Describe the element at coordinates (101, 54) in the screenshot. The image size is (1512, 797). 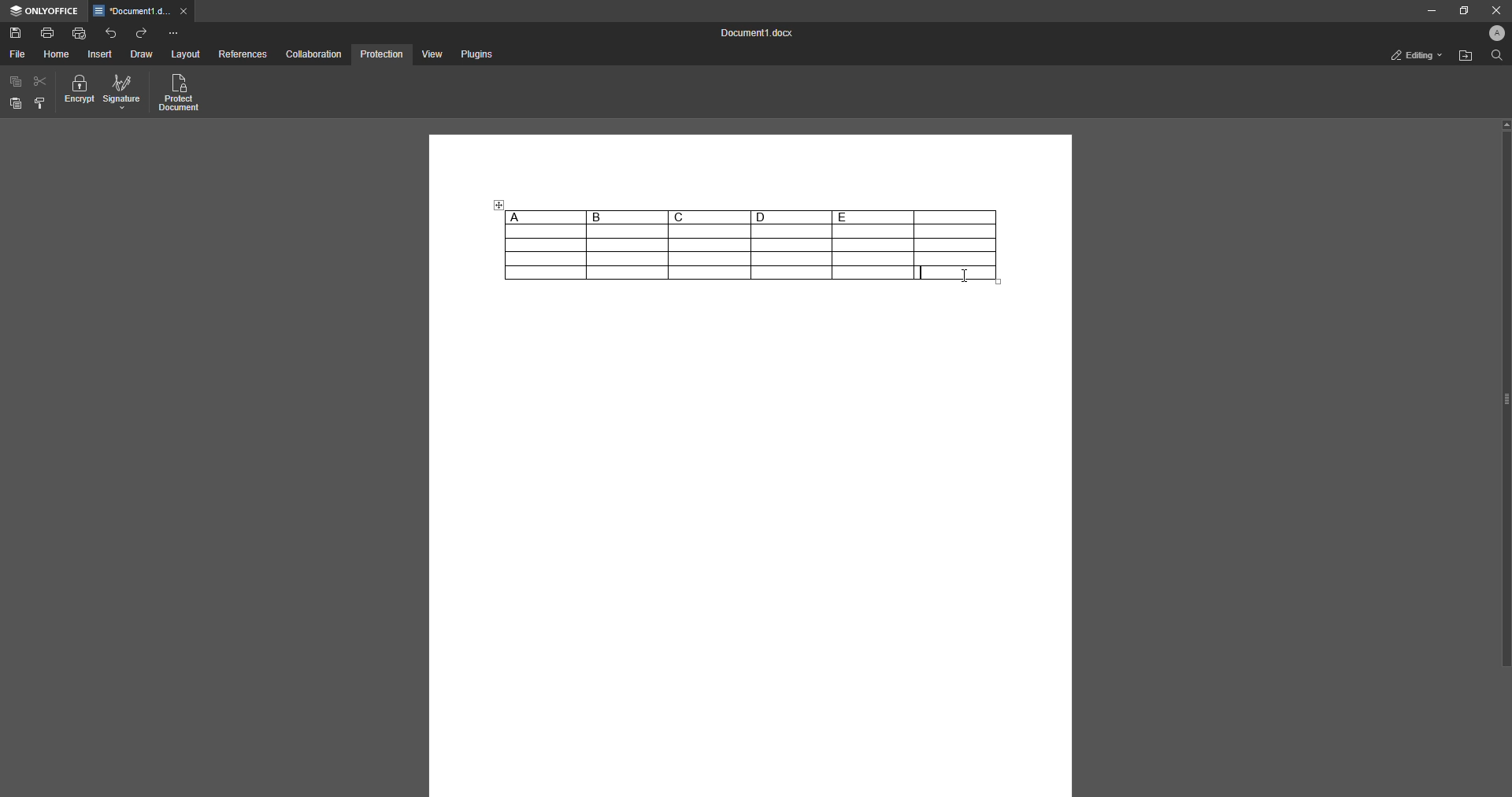
I see `Insert` at that location.